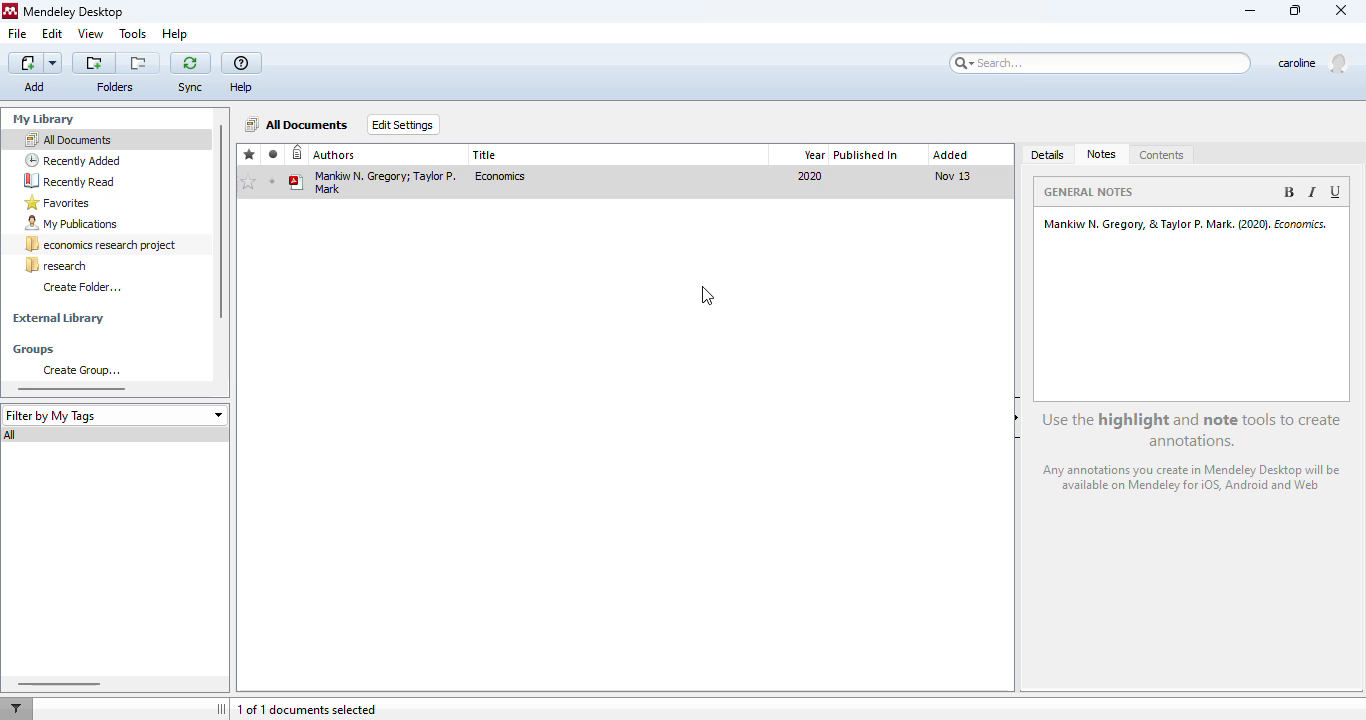 This screenshot has width=1366, height=720. I want to click on file, so click(17, 34).